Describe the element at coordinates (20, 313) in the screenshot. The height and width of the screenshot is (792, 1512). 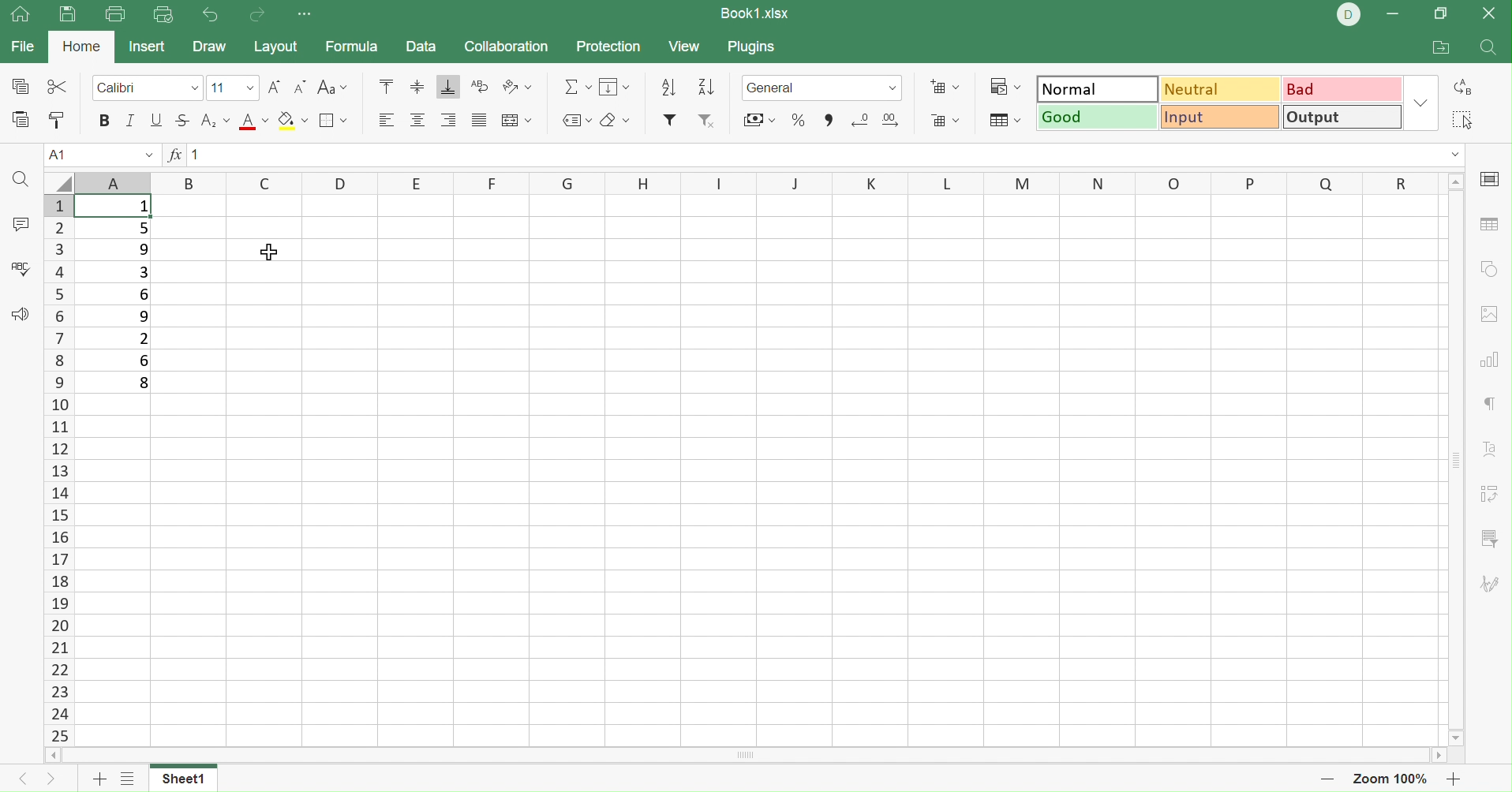
I see `Feedback & support` at that location.